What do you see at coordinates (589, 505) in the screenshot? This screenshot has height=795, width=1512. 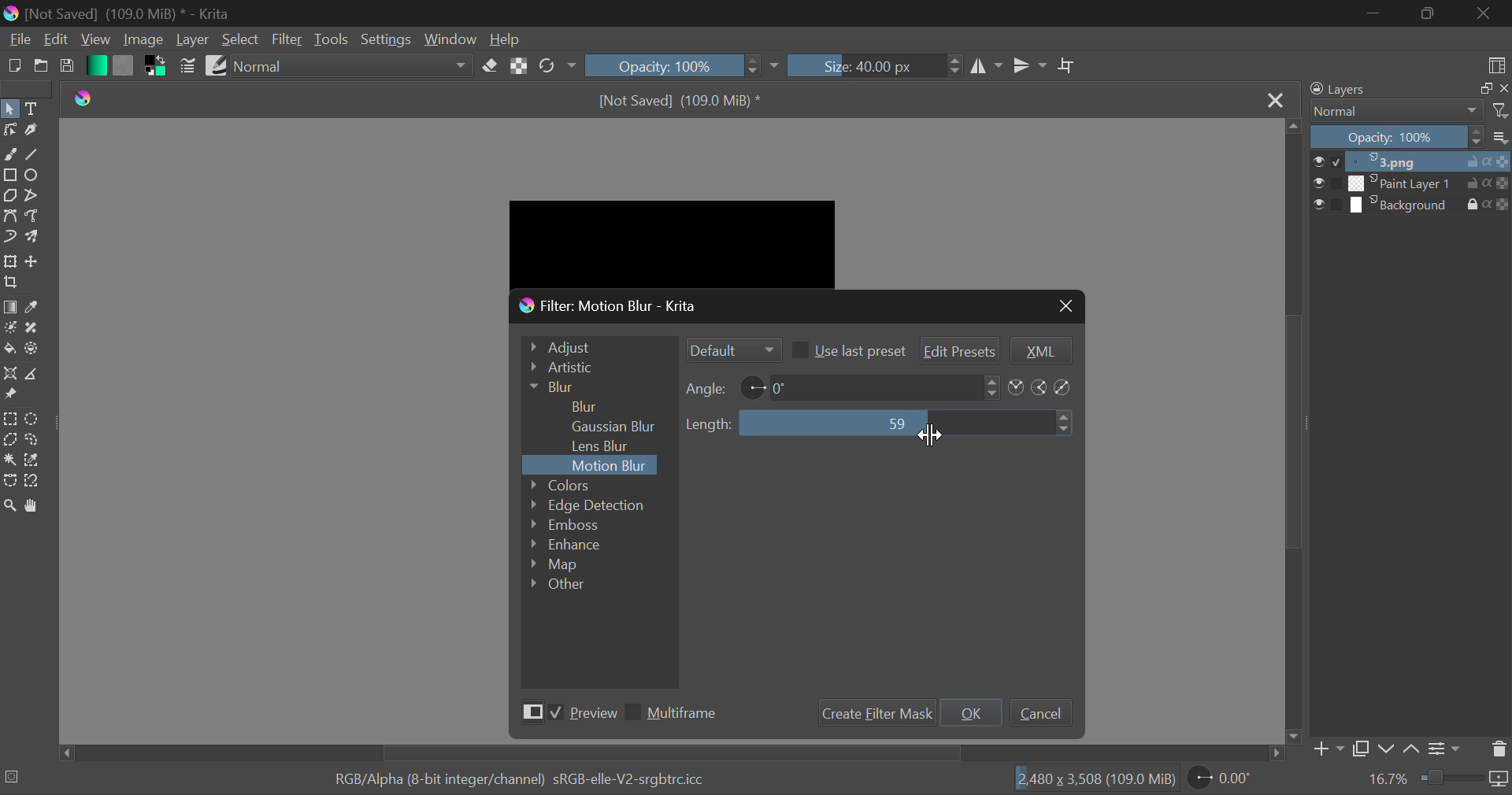 I see `Edge Detection` at bounding box center [589, 505].